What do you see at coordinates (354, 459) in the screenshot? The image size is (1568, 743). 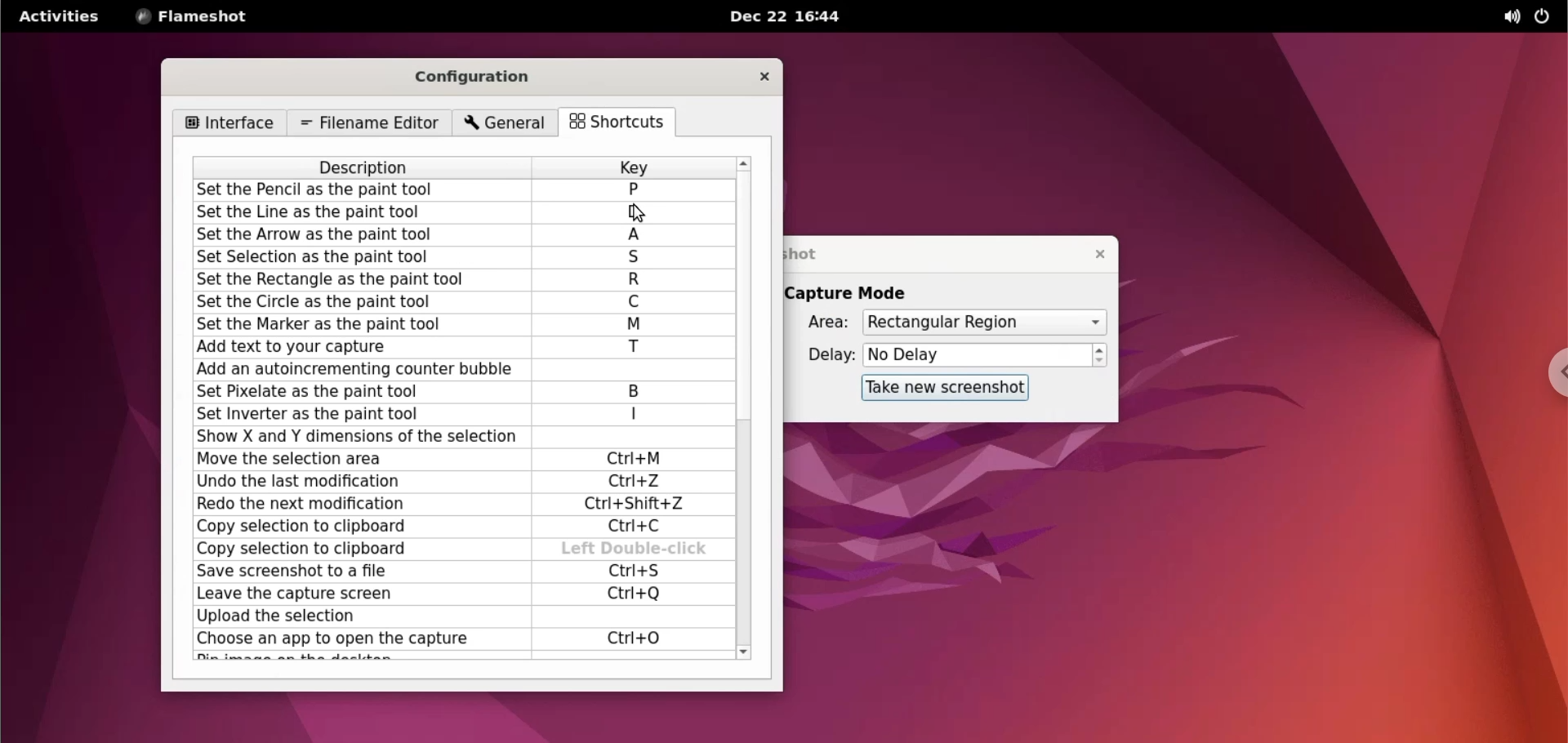 I see `move the selection area` at bounding box center [354, 459].